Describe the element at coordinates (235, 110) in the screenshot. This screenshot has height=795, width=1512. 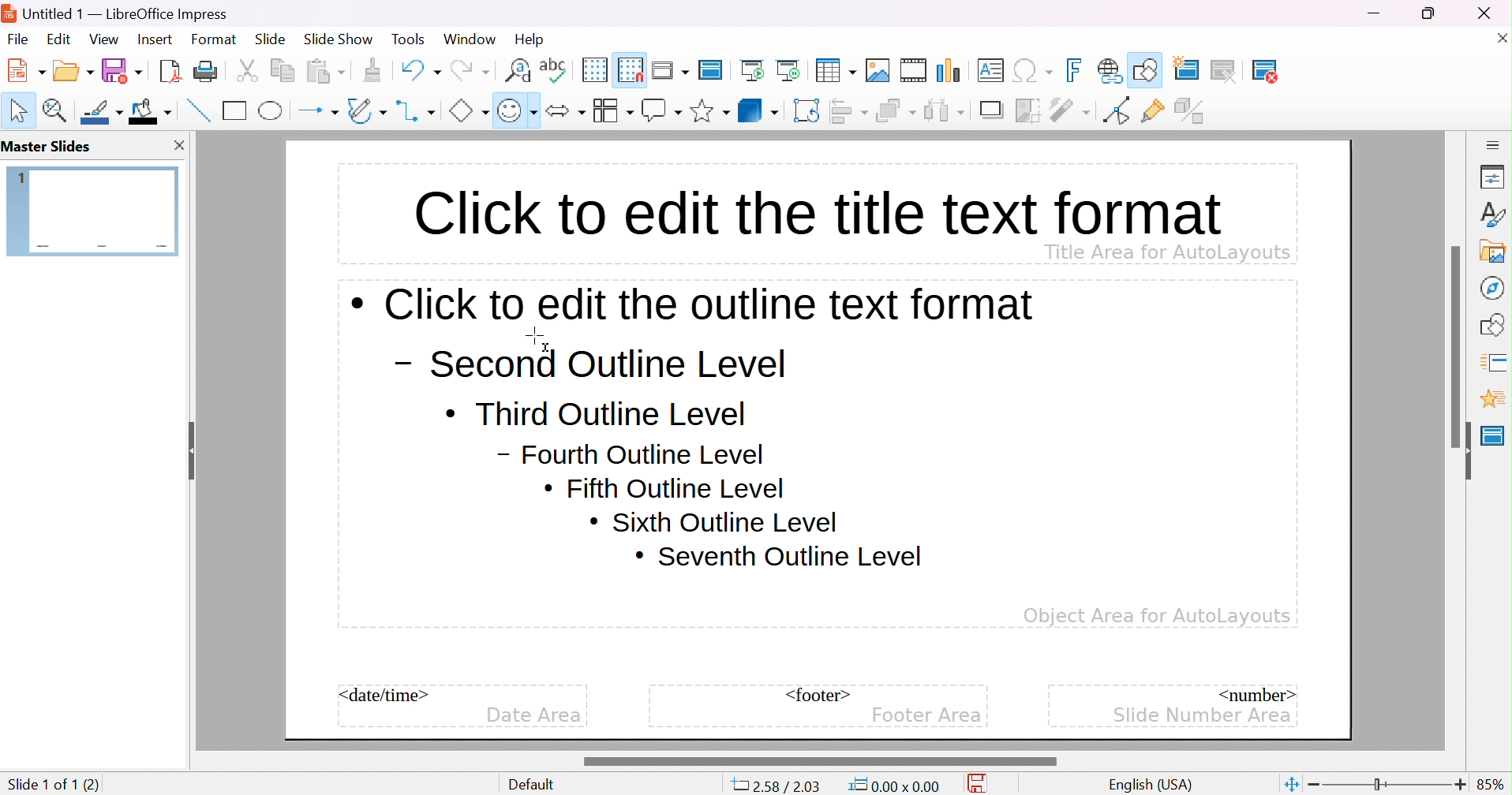
I see `rectangle` at that location.